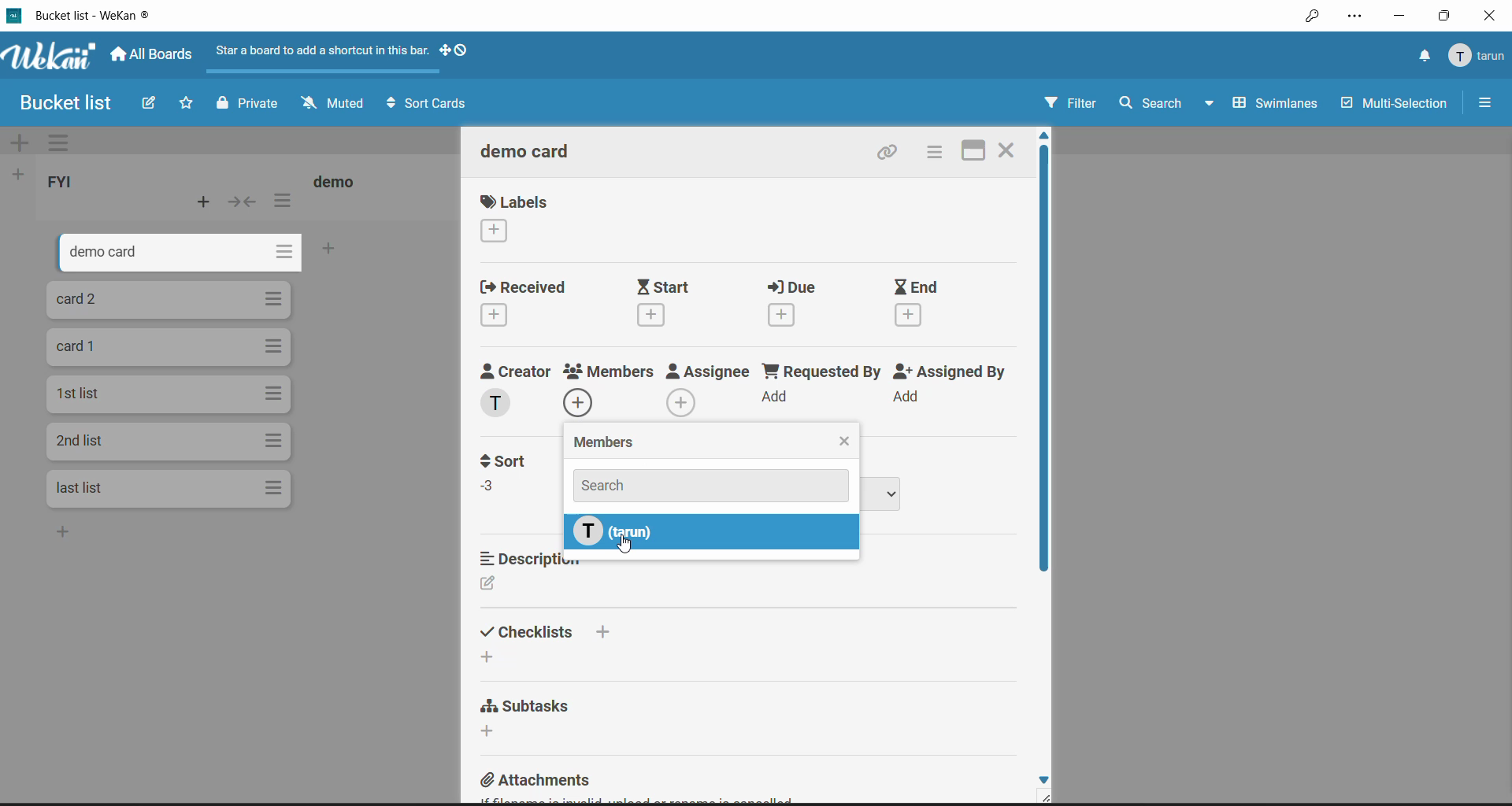 The height and width of the screenshot is (806, 1512). What do you see at coordinates (324, 50) in the screenshot?
I see `Star a board to add a shortcut in this bar.` at bounding box center [324, 50].